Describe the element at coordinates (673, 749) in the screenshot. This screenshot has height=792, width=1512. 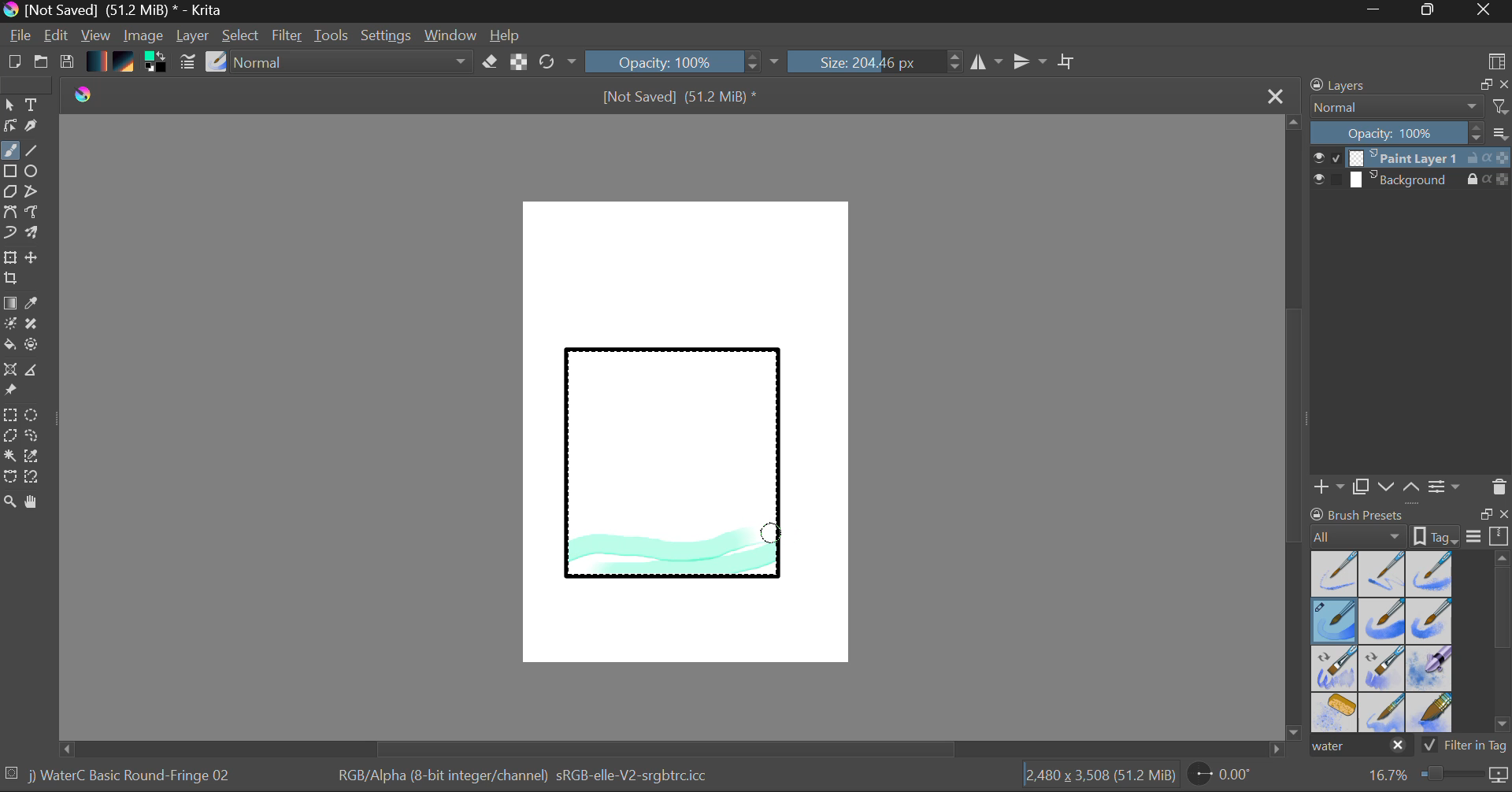
I see `Scroll Bar` at that location.